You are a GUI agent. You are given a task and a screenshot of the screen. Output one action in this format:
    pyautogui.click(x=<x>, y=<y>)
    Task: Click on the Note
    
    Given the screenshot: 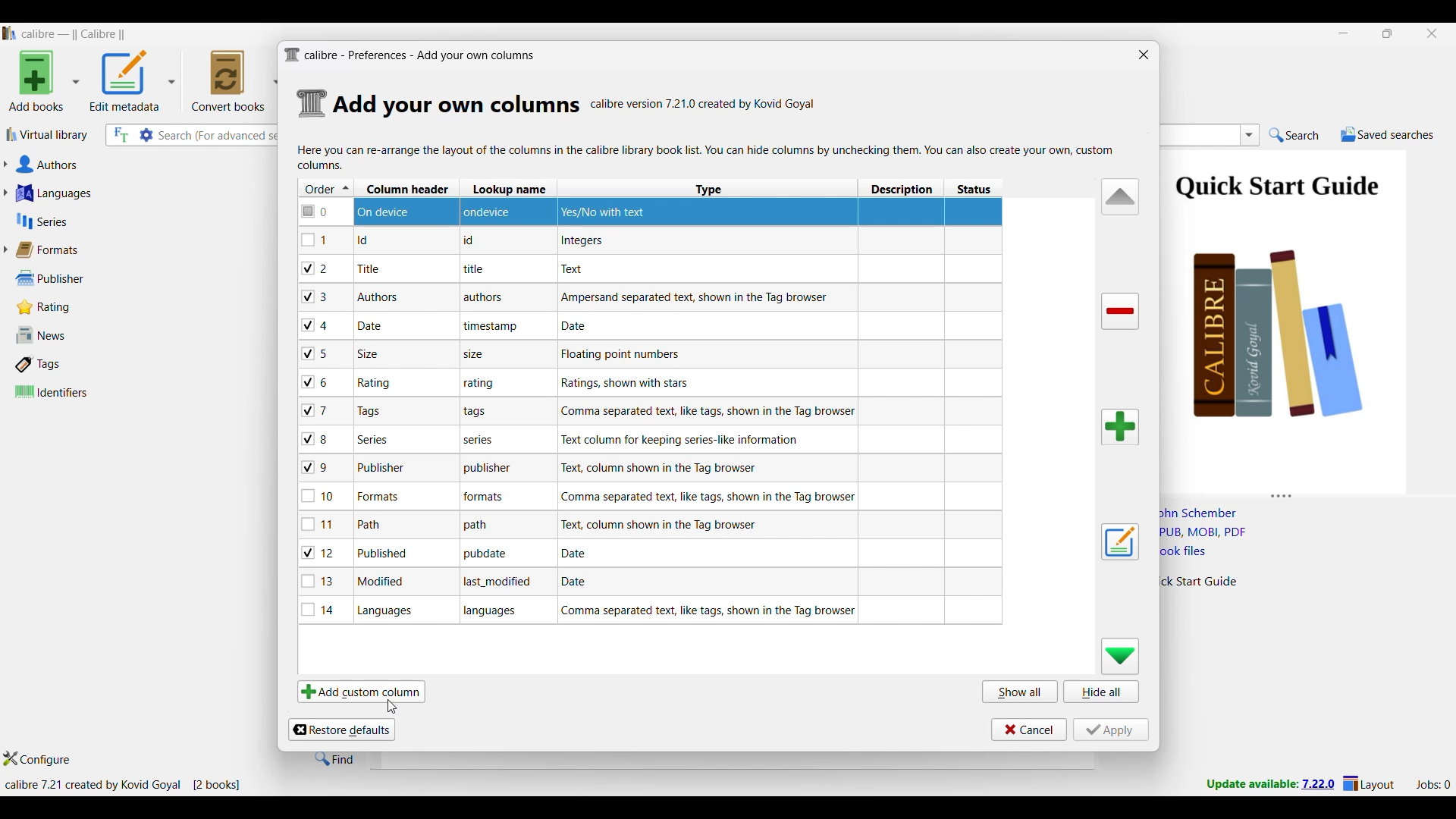 What is the action you would take?
    pyautogui.click(x=369, y=268)
    